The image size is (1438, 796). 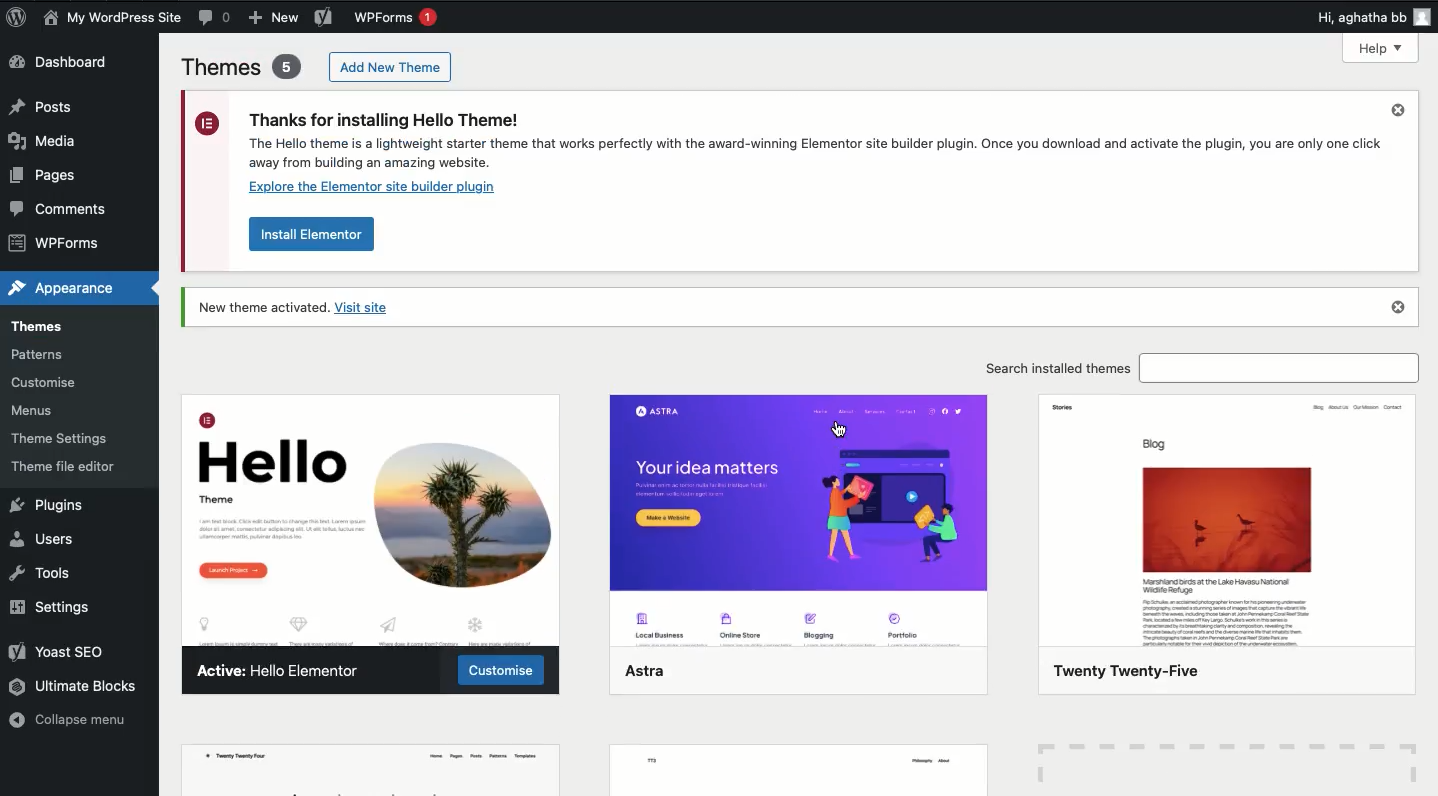 What do you see at coordinates (37, 327) in the screenshot?
I see `Themes` at bounding box center [37, 327].